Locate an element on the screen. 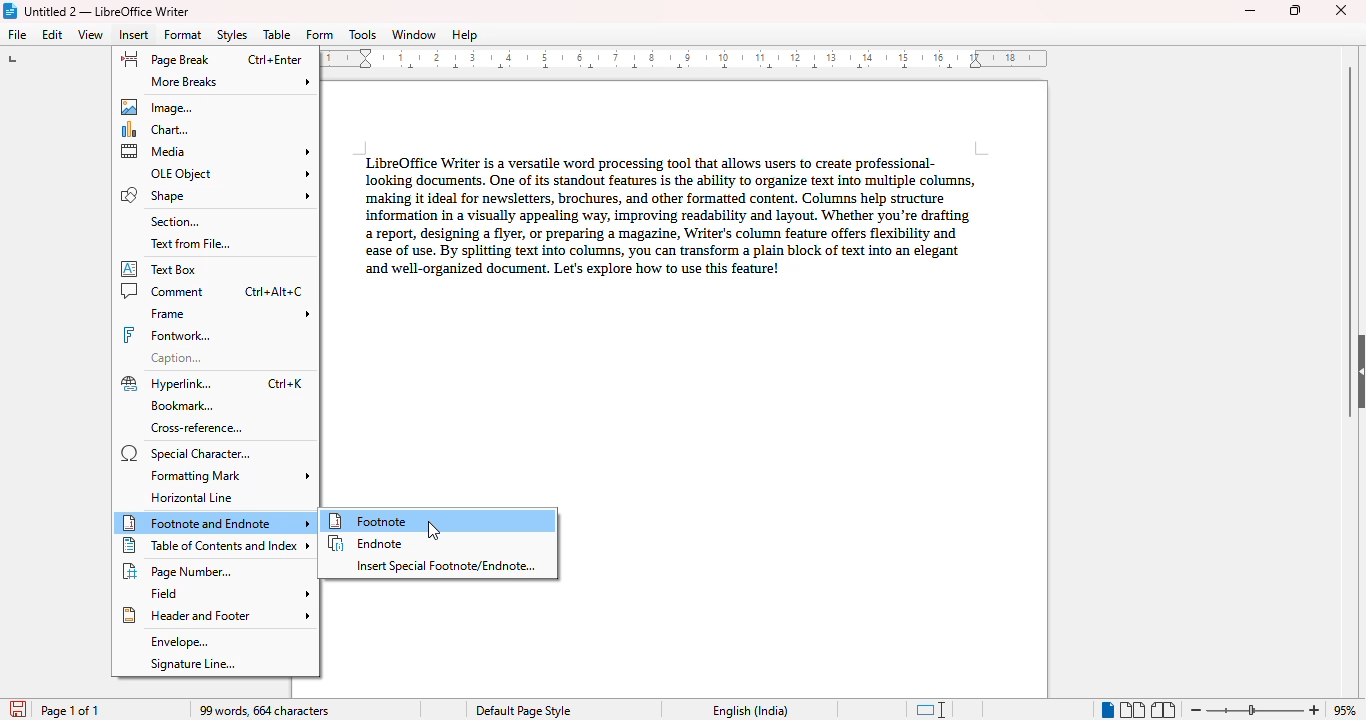 The height and width of the screenshot is (720, 1366). styles is located at coordinates (233, 35).